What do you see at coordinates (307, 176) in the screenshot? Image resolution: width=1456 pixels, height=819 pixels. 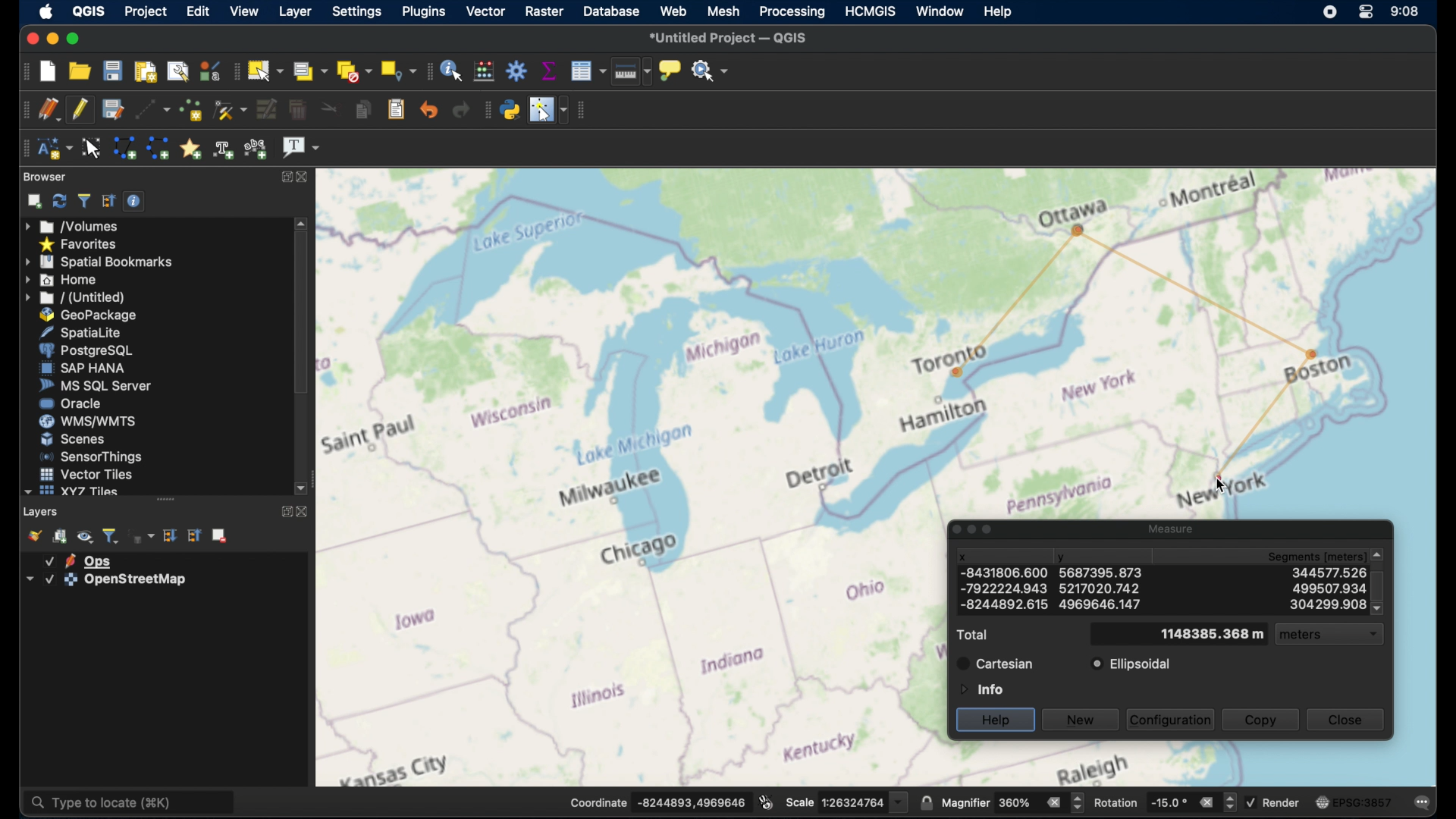 I see `close` at bounding box center [307, 176].